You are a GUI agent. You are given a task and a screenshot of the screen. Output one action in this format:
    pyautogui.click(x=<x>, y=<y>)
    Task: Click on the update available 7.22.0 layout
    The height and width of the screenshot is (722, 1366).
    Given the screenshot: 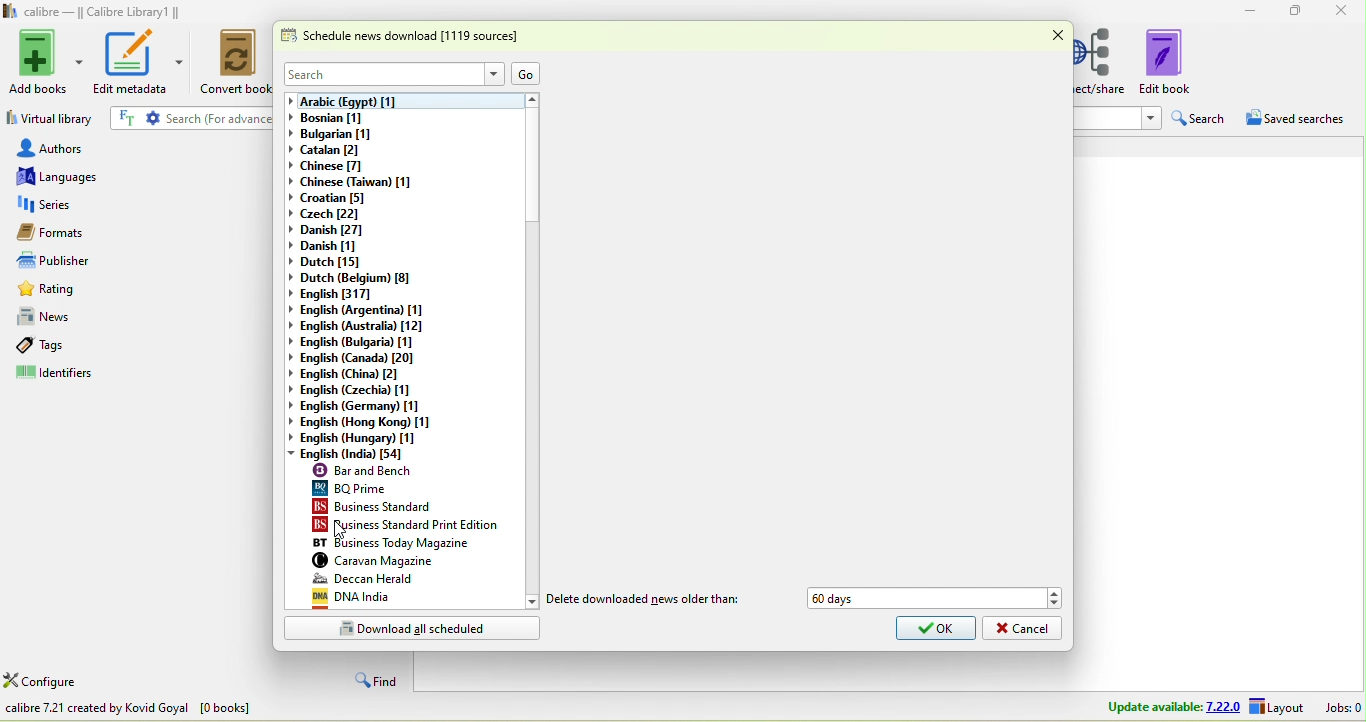 What is the action you would take?
    pyautogui.click(x=1166, y=707)
    